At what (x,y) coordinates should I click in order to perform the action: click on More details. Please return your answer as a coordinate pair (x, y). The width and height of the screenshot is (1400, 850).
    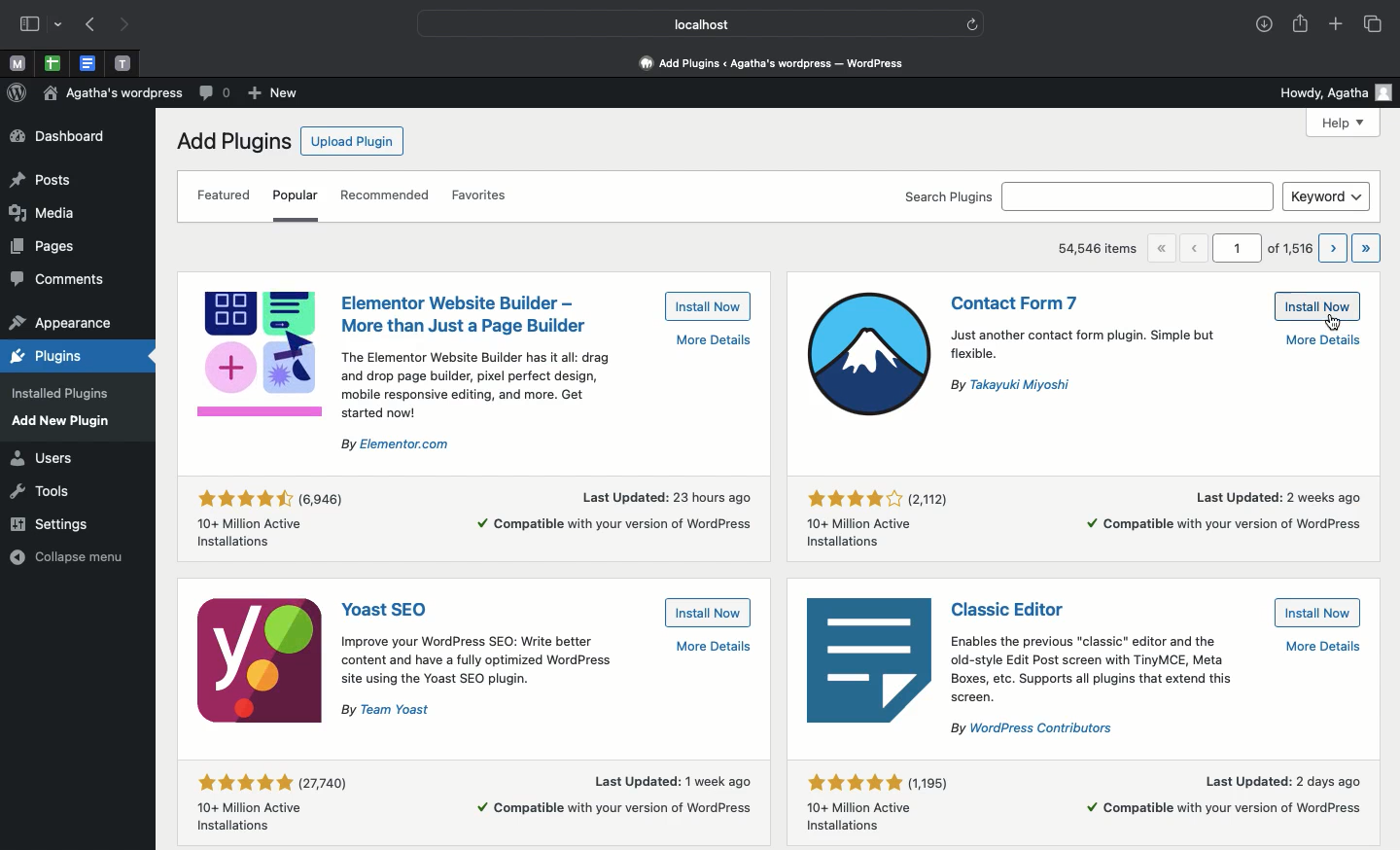
    Looking at the image, I should click on (1226, 795).